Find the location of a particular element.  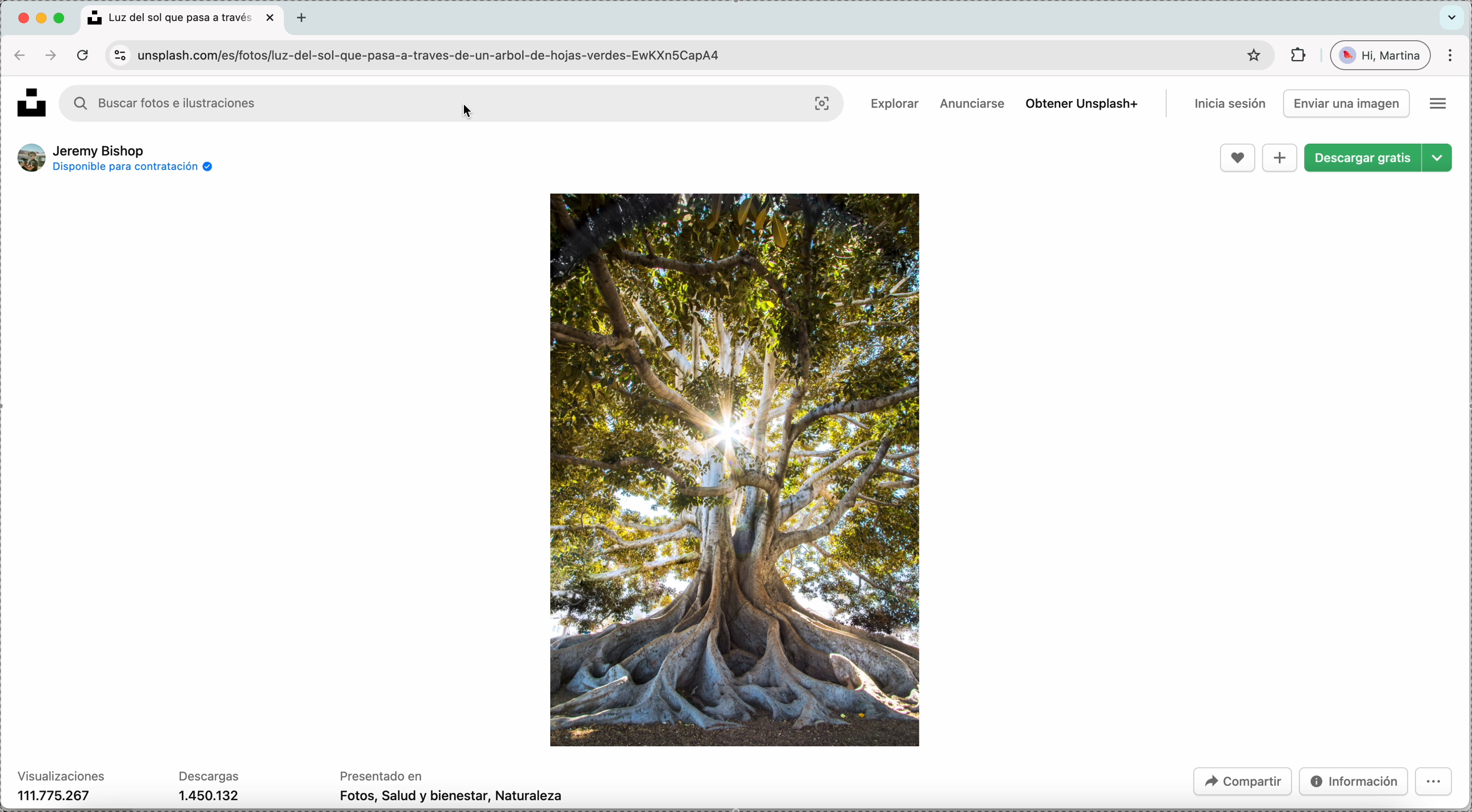

account is located at coordinates (1382, 56).